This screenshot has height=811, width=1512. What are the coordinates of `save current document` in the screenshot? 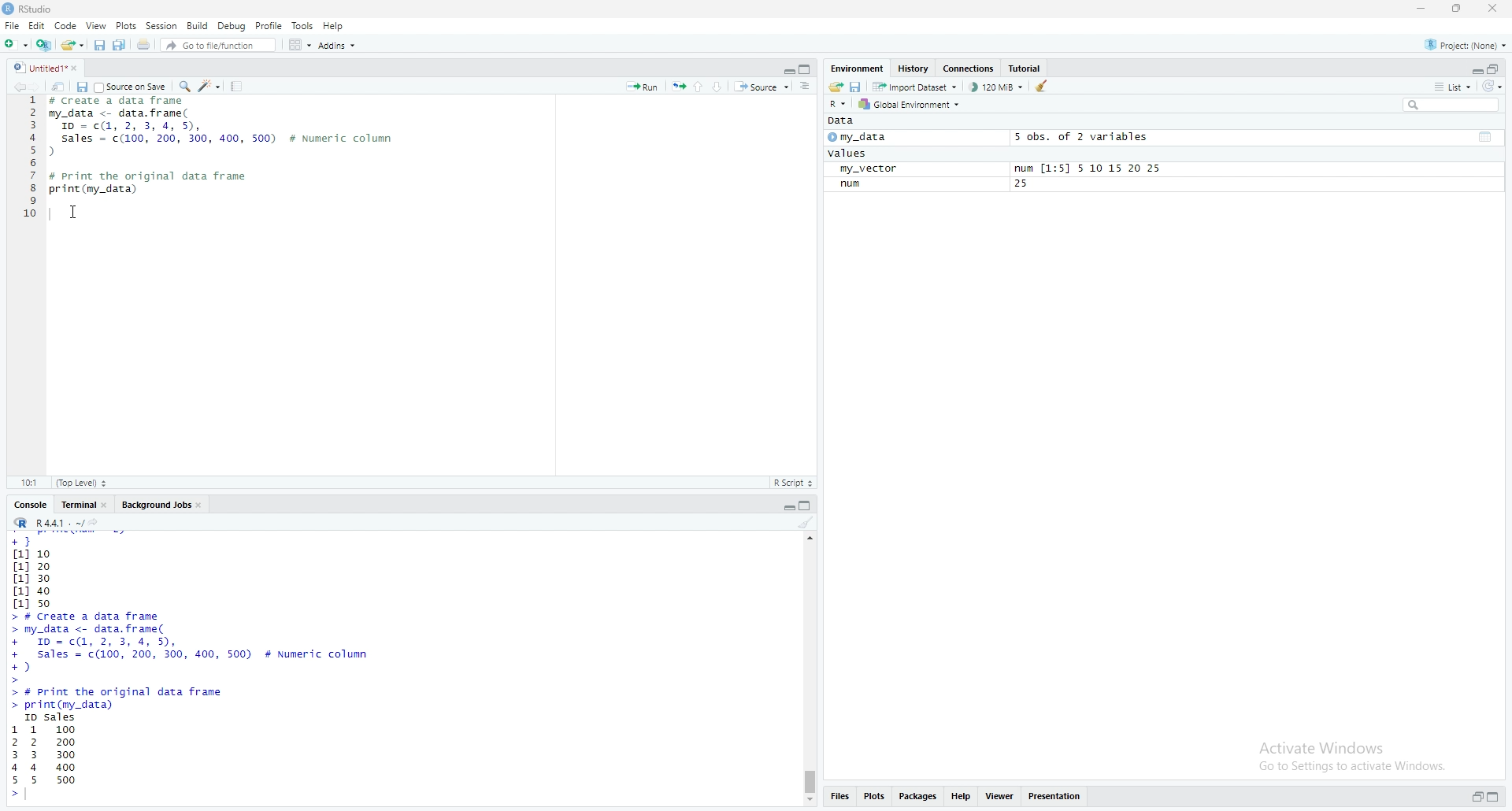 It's located at (83, 87).